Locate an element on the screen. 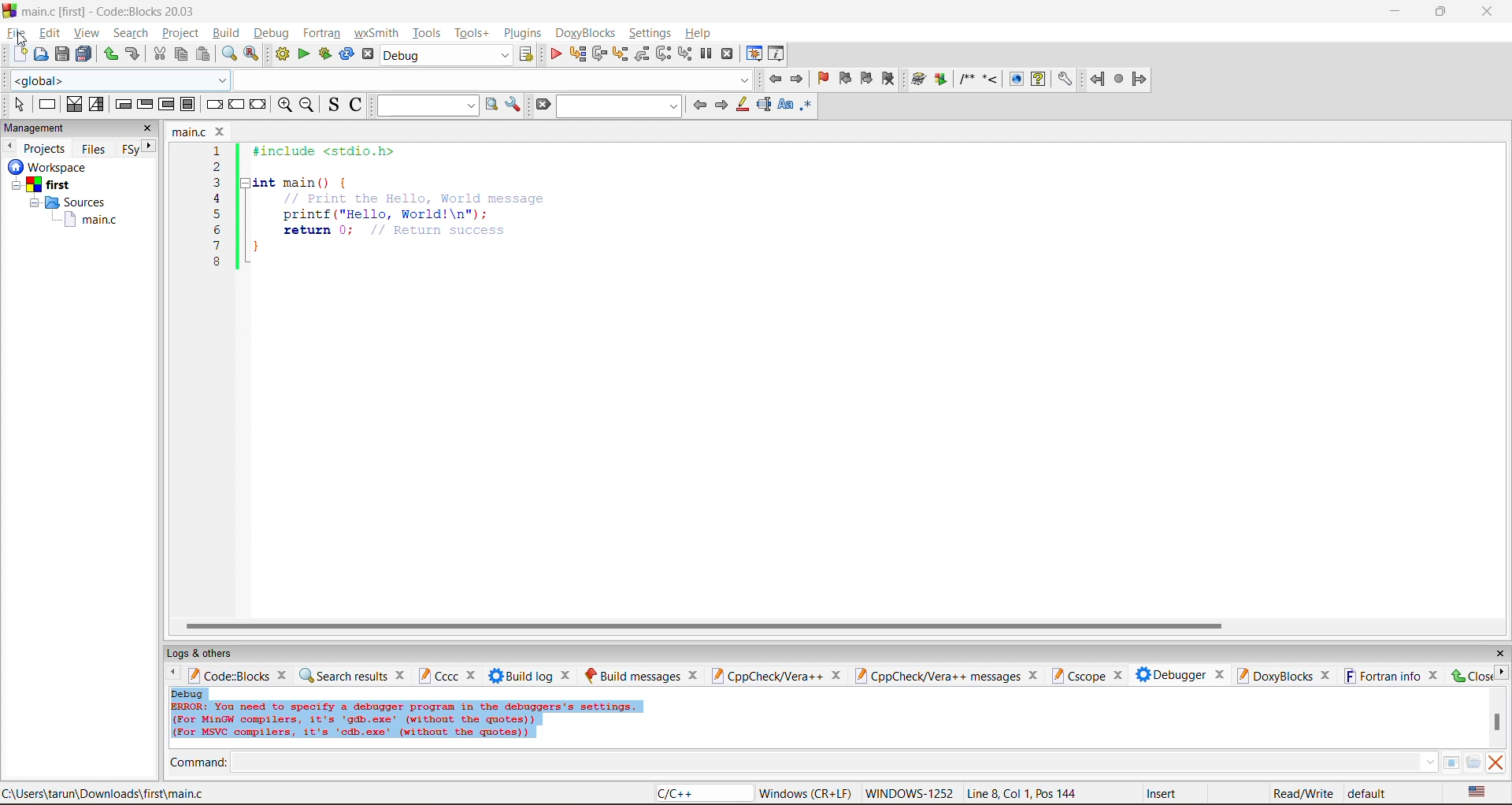  next is located at coordinates (721, 105).